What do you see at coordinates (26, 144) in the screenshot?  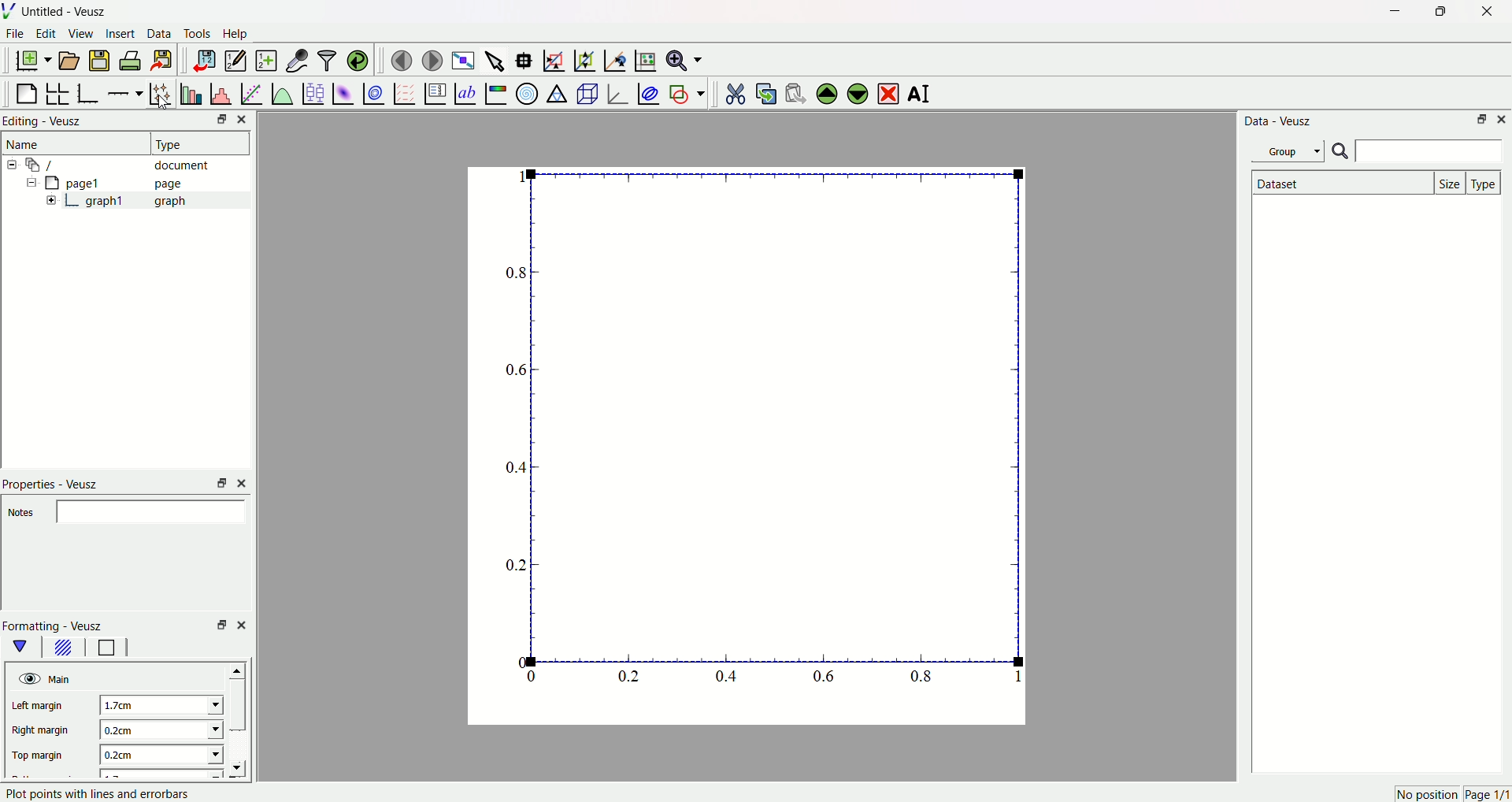 I see `Name` at bounding box center [26, 144].